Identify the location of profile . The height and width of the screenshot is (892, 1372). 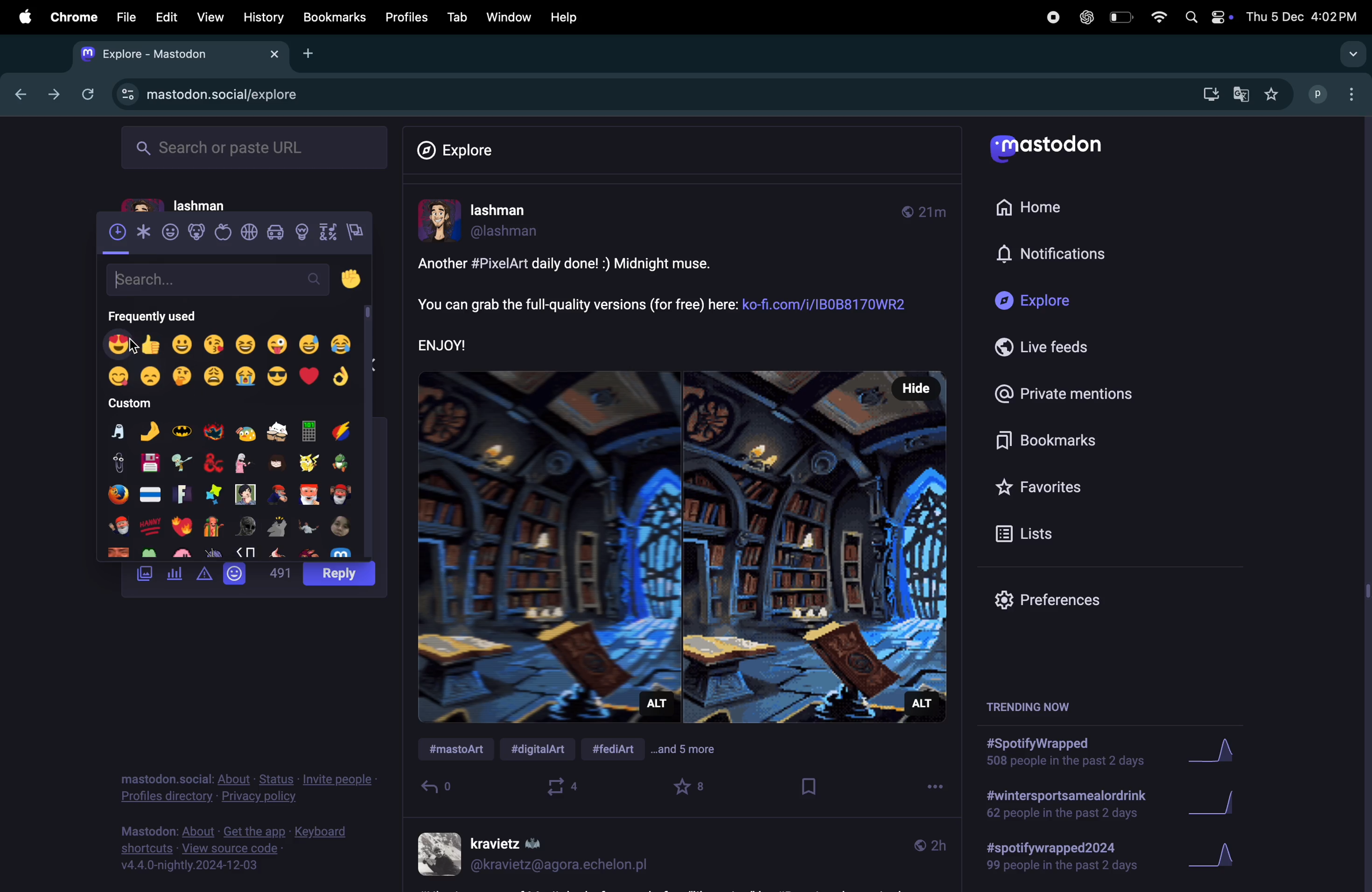
(1337, 95).